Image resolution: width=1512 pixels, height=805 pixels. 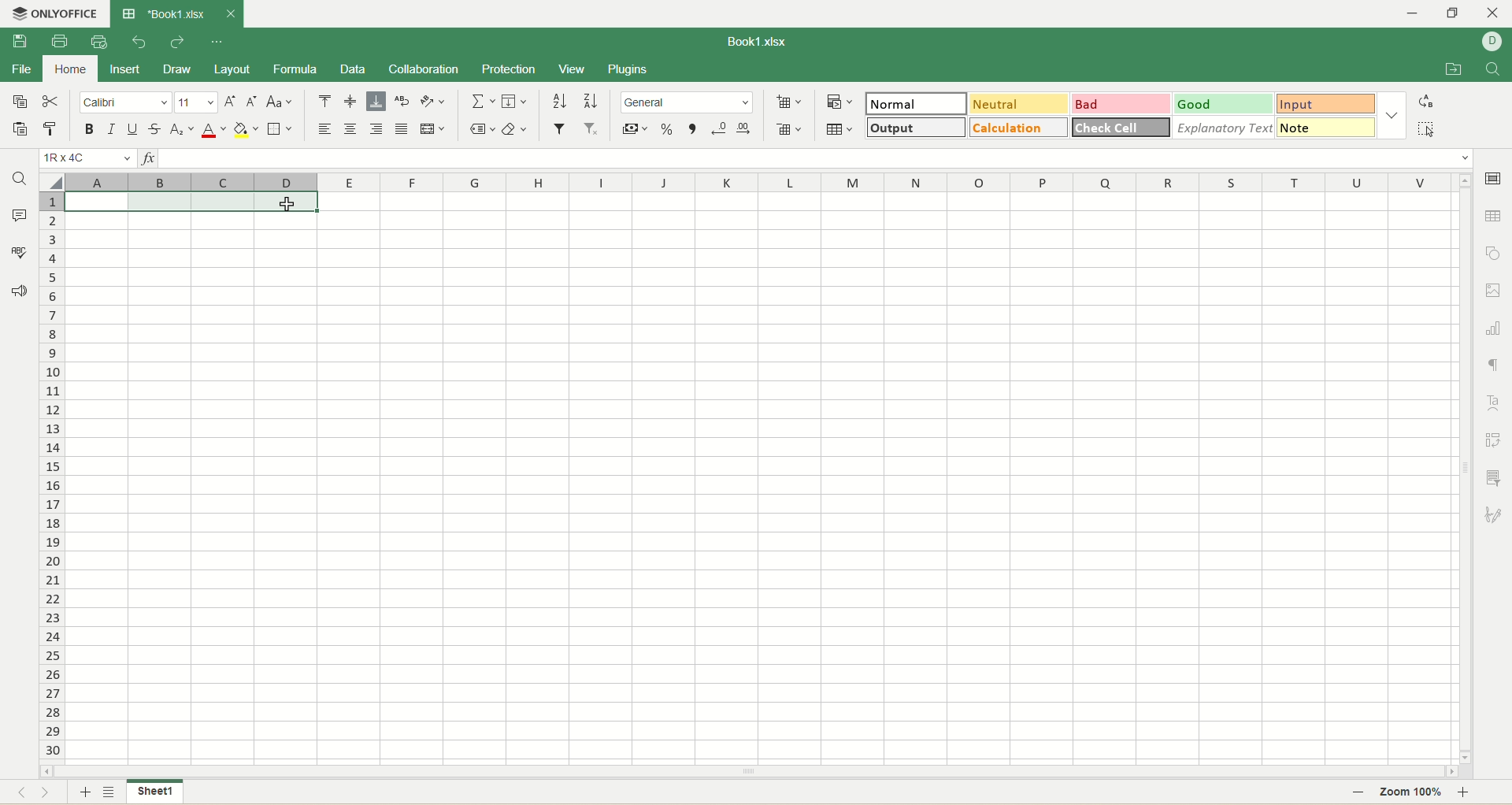 What do you see at coordinates (843, 129) in the screenshot?
I see `table` at bounding box center [843, 129].